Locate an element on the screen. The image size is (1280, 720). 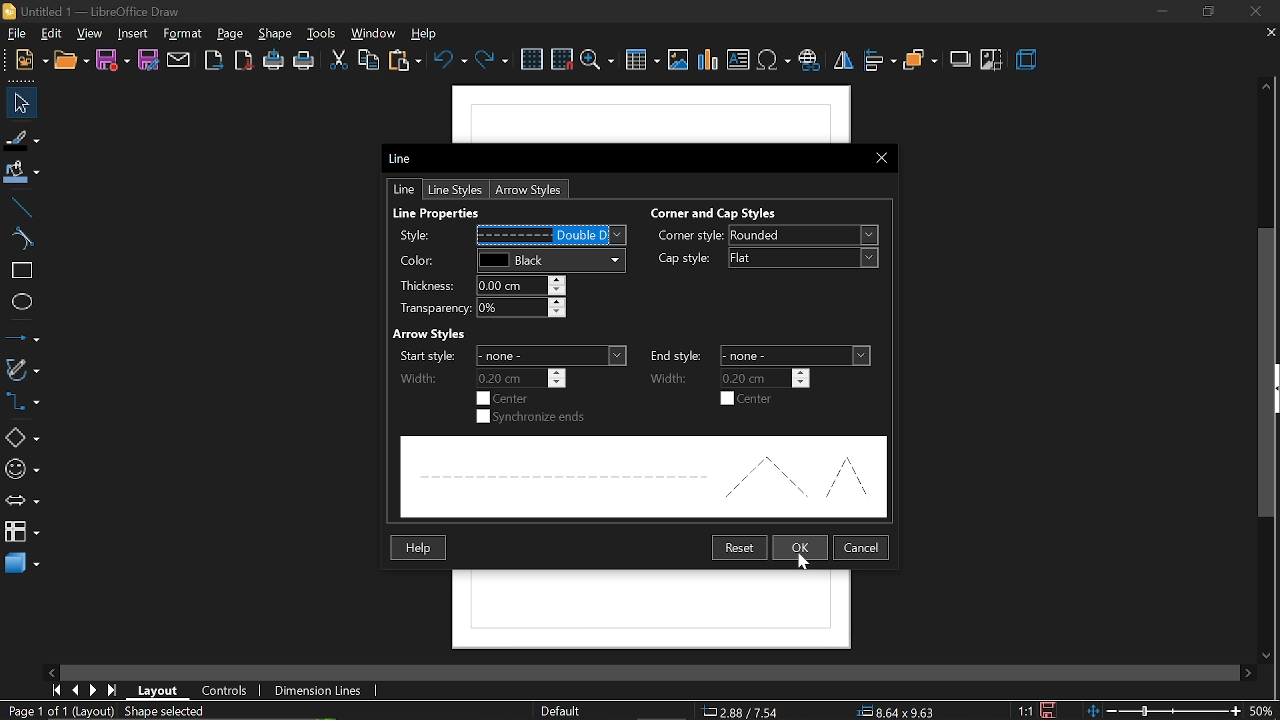
page style (Default) is located at coordinates (565, 710).